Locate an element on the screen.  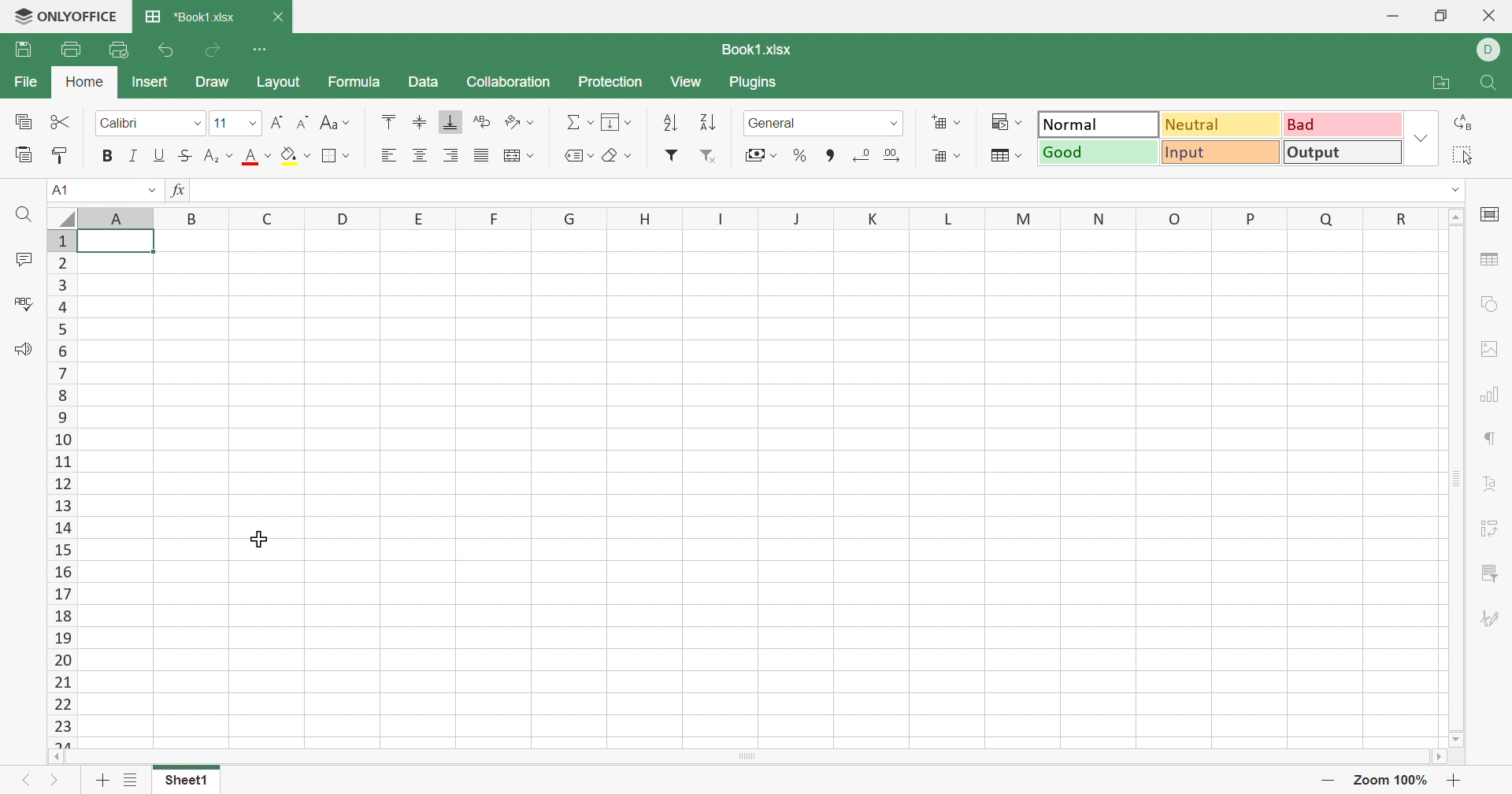
Fill color is located at coordinates (288, 155).